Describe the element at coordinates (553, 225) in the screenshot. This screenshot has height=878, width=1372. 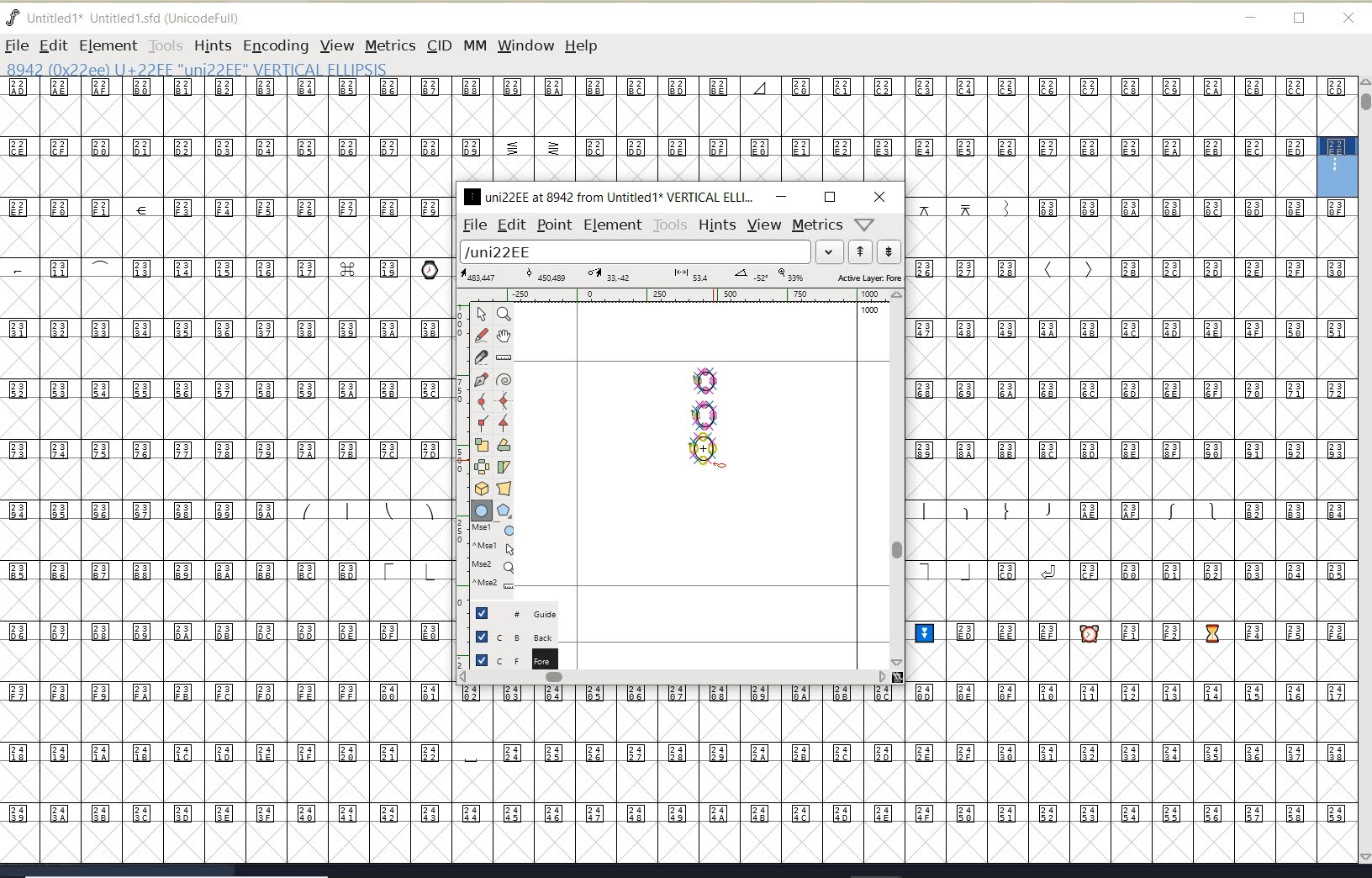
I see `point` at that location.